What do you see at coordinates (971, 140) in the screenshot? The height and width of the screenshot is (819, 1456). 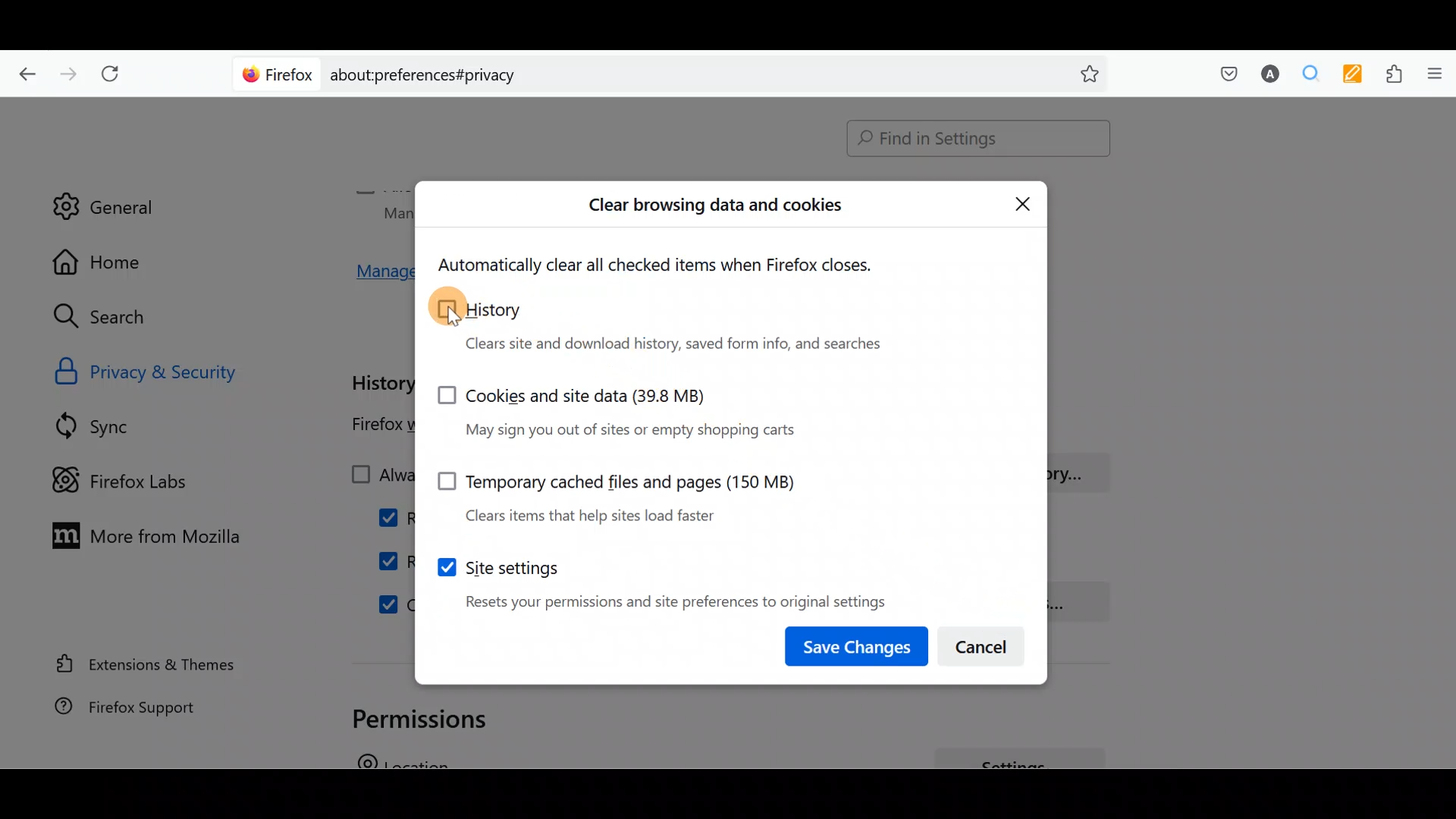 I see `Search bar` at bounding box center [971, 140].